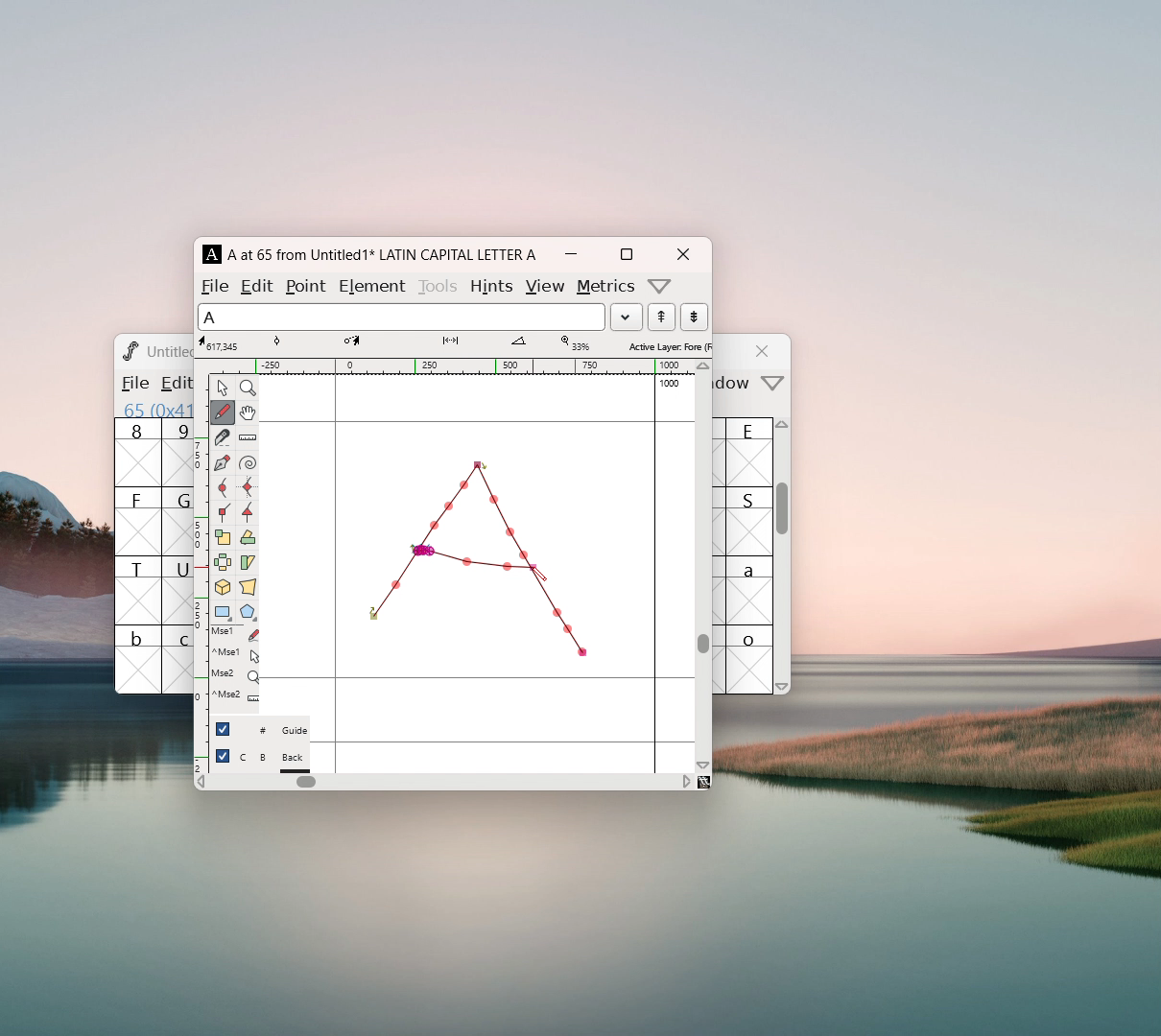 Image resolution: width=1161 pixels, height=1036 pixels. I want to click on skew selection, so click(247, 564).